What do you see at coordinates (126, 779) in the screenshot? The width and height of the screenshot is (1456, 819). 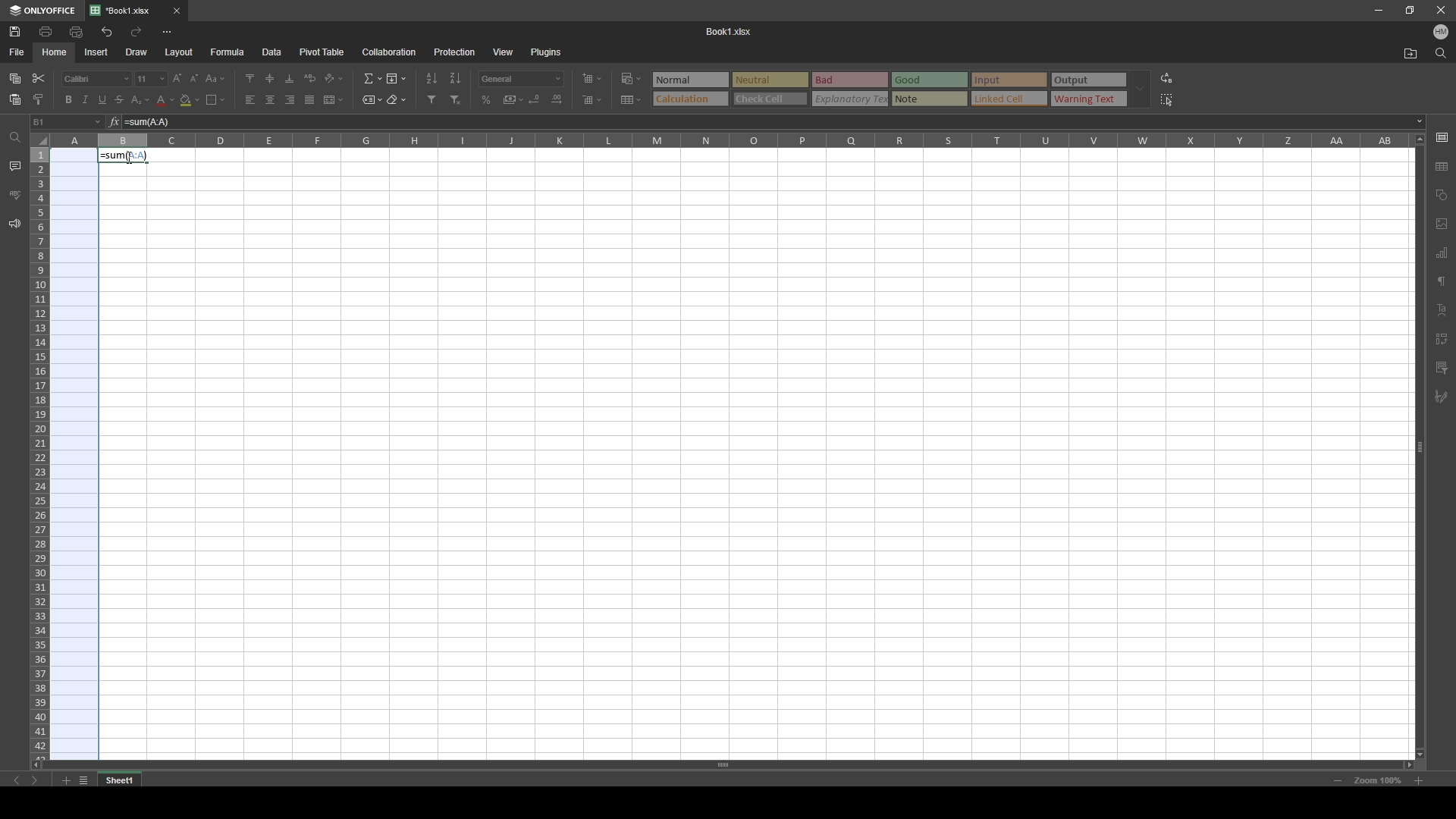 I see `tab` at bounding box center [126, 779].